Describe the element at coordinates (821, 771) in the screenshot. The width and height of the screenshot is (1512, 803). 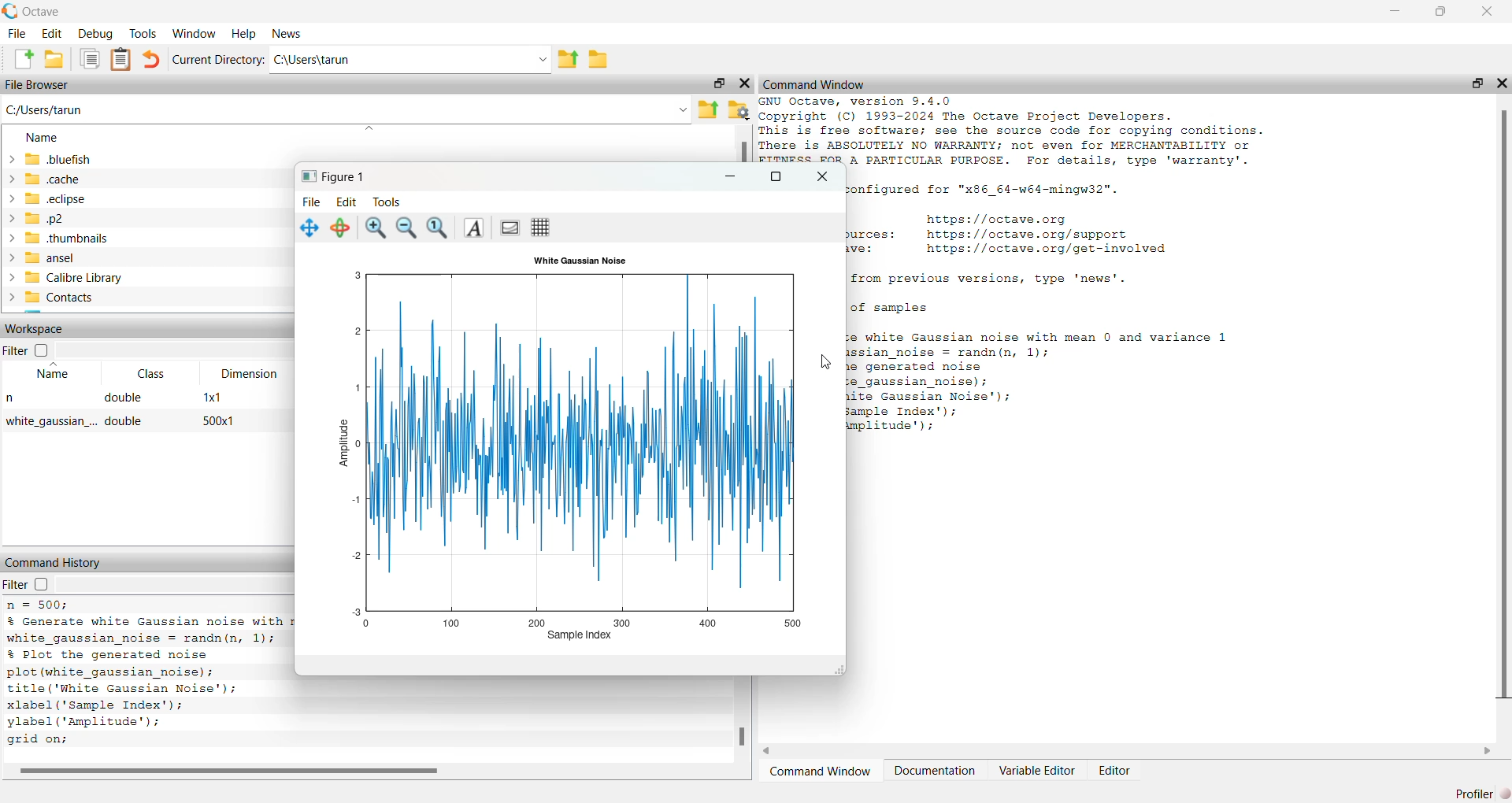
I see ` Command Window` at that location.